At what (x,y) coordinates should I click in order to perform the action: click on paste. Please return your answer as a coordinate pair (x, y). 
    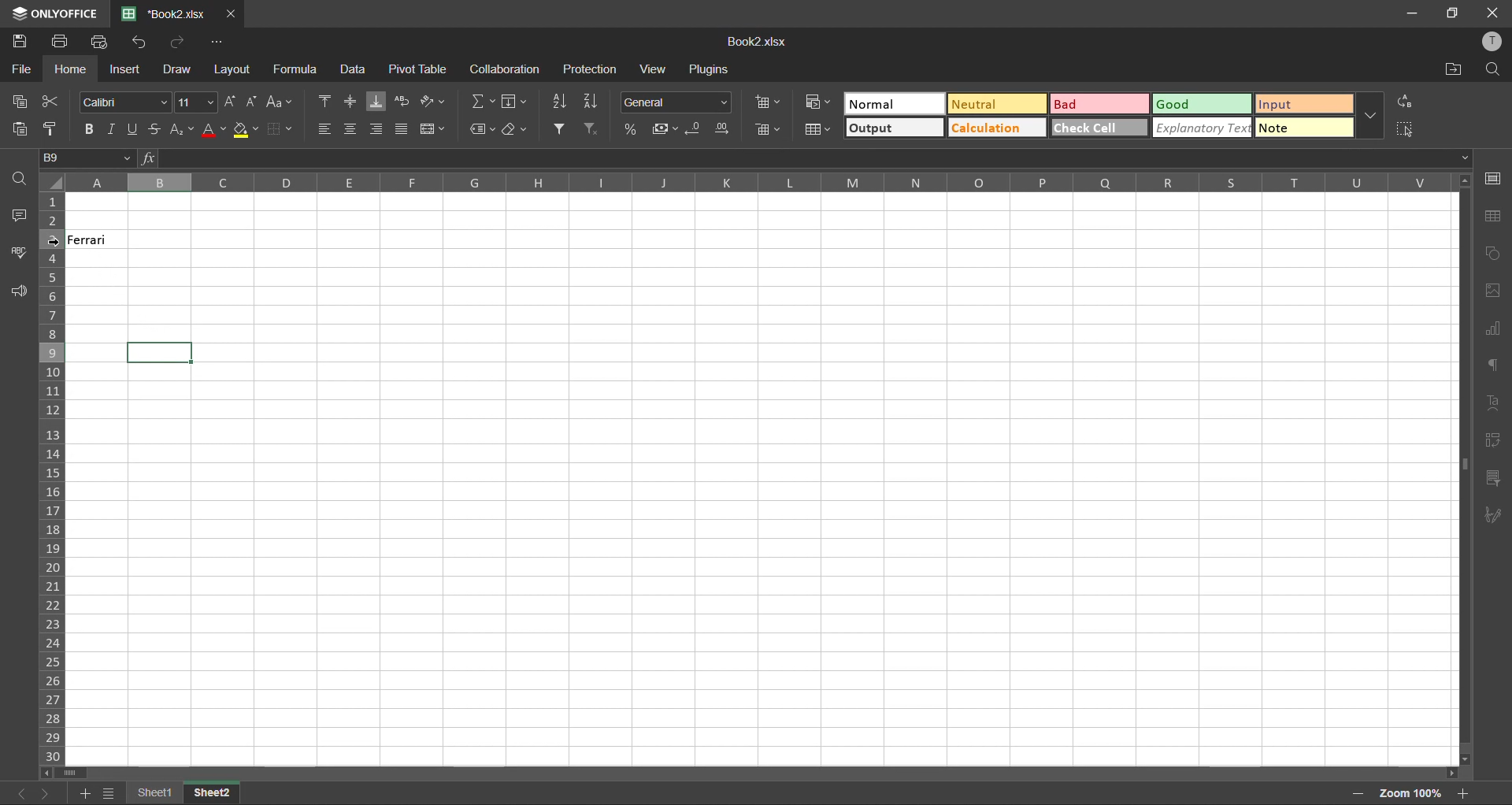
    Looking at the image, I should click on (21, 131).